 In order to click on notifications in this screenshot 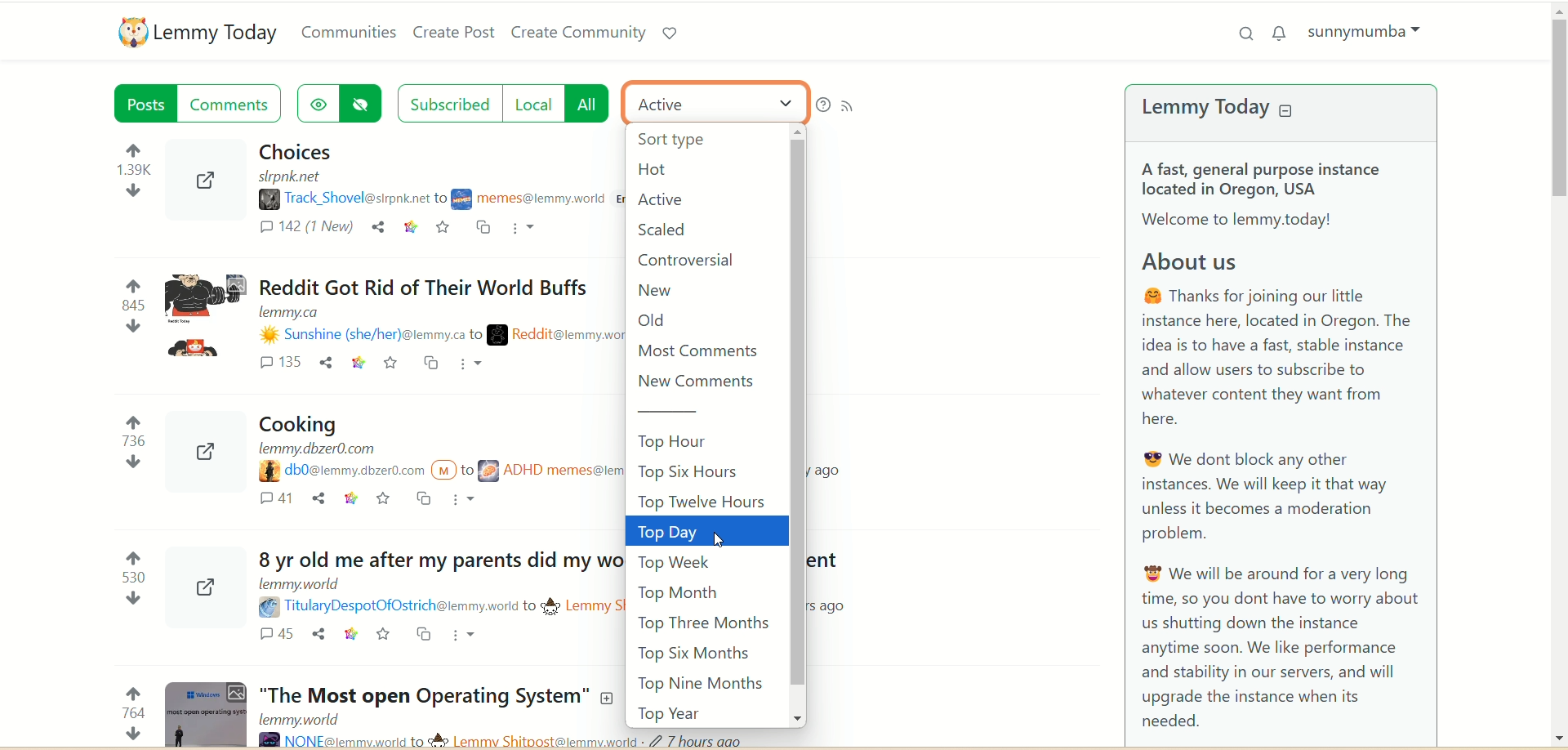, I will do `click(1283, 32)`.